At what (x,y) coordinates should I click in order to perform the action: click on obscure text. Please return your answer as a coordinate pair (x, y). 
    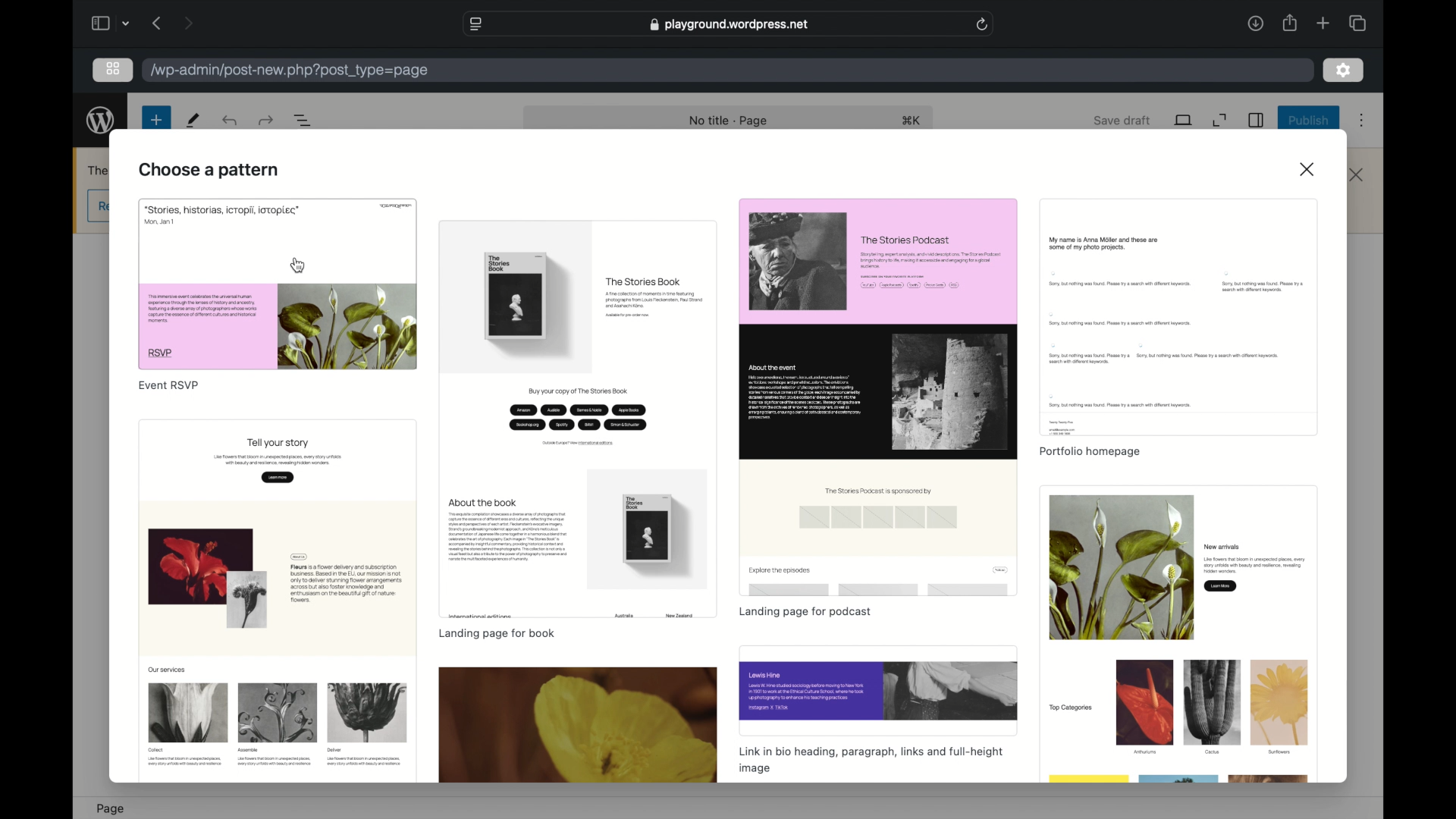
    Looking at the image, I should click on (96, 171).